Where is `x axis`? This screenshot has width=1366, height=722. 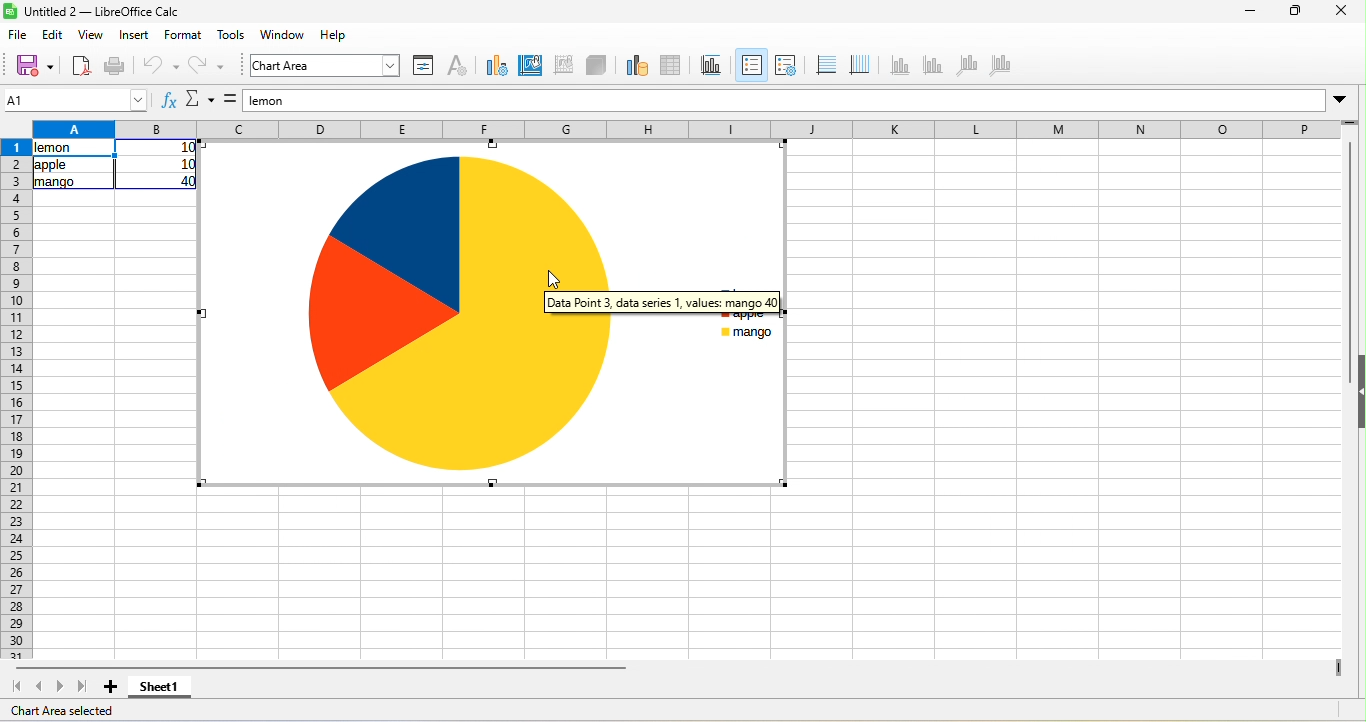
x axis is located at coordinates (899, 67).